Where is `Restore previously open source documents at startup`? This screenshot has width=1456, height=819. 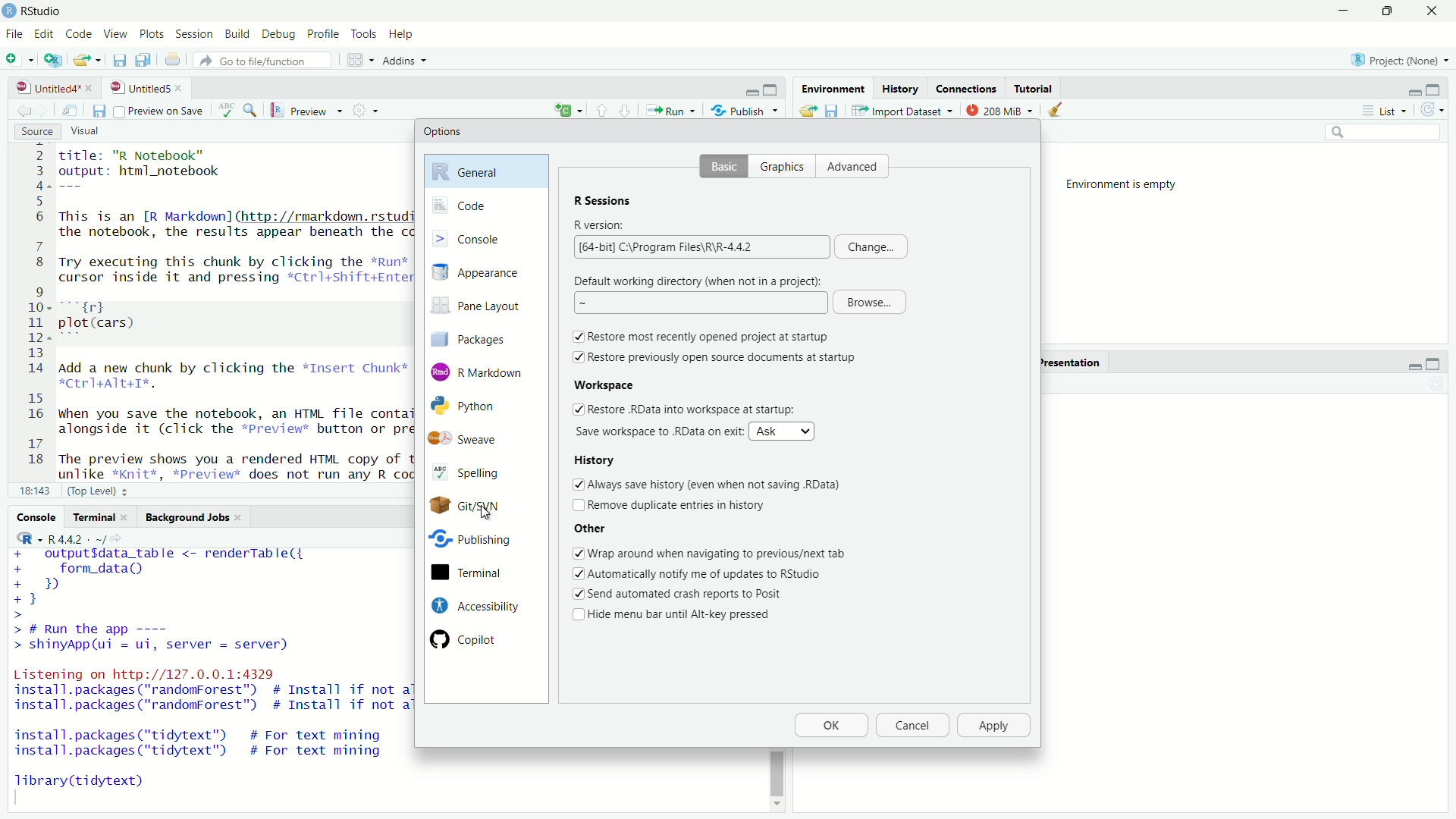
Restore previously open source documents at startup is located at coordinates (723, 356).